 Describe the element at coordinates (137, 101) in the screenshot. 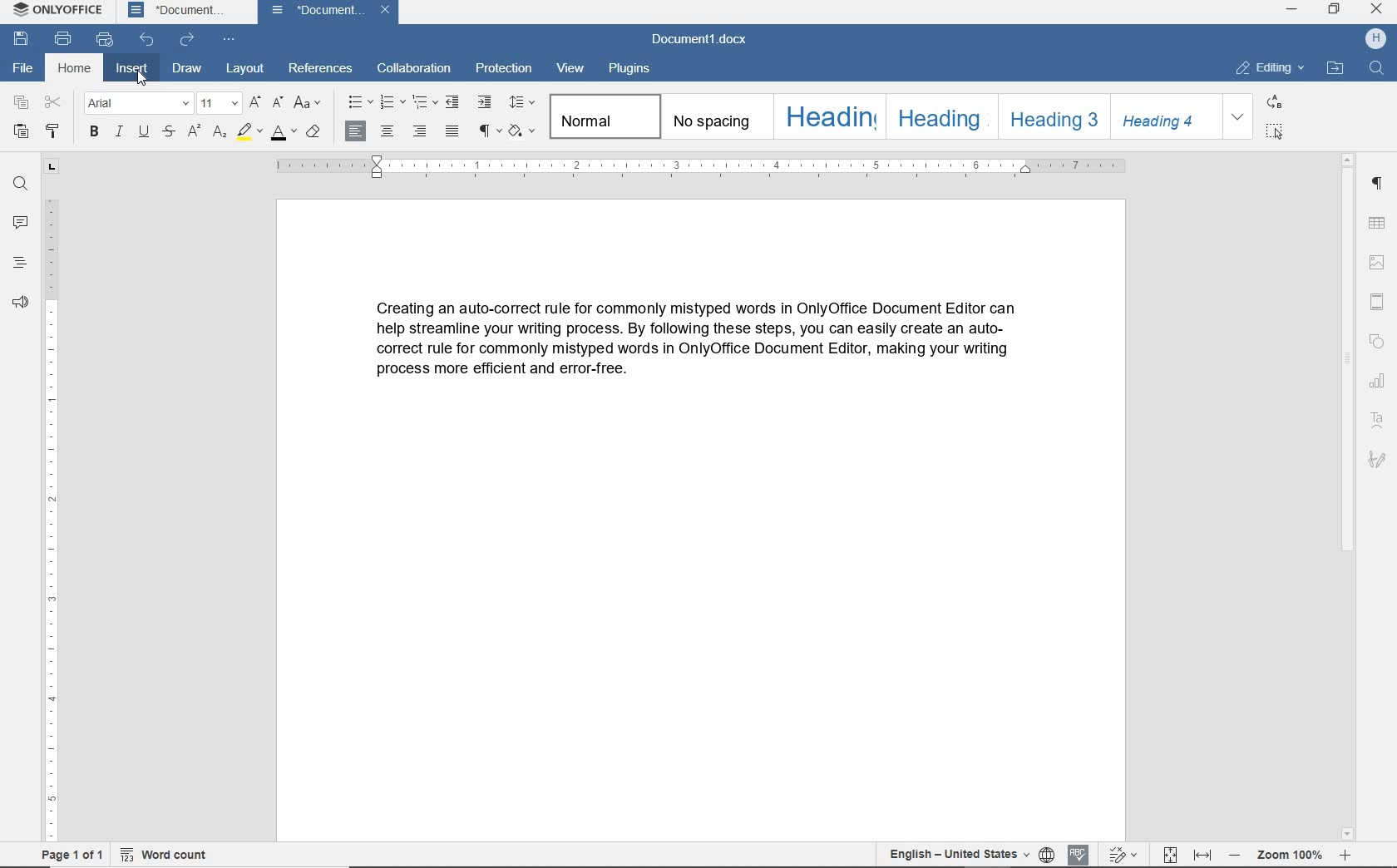

I see `font` at that location.